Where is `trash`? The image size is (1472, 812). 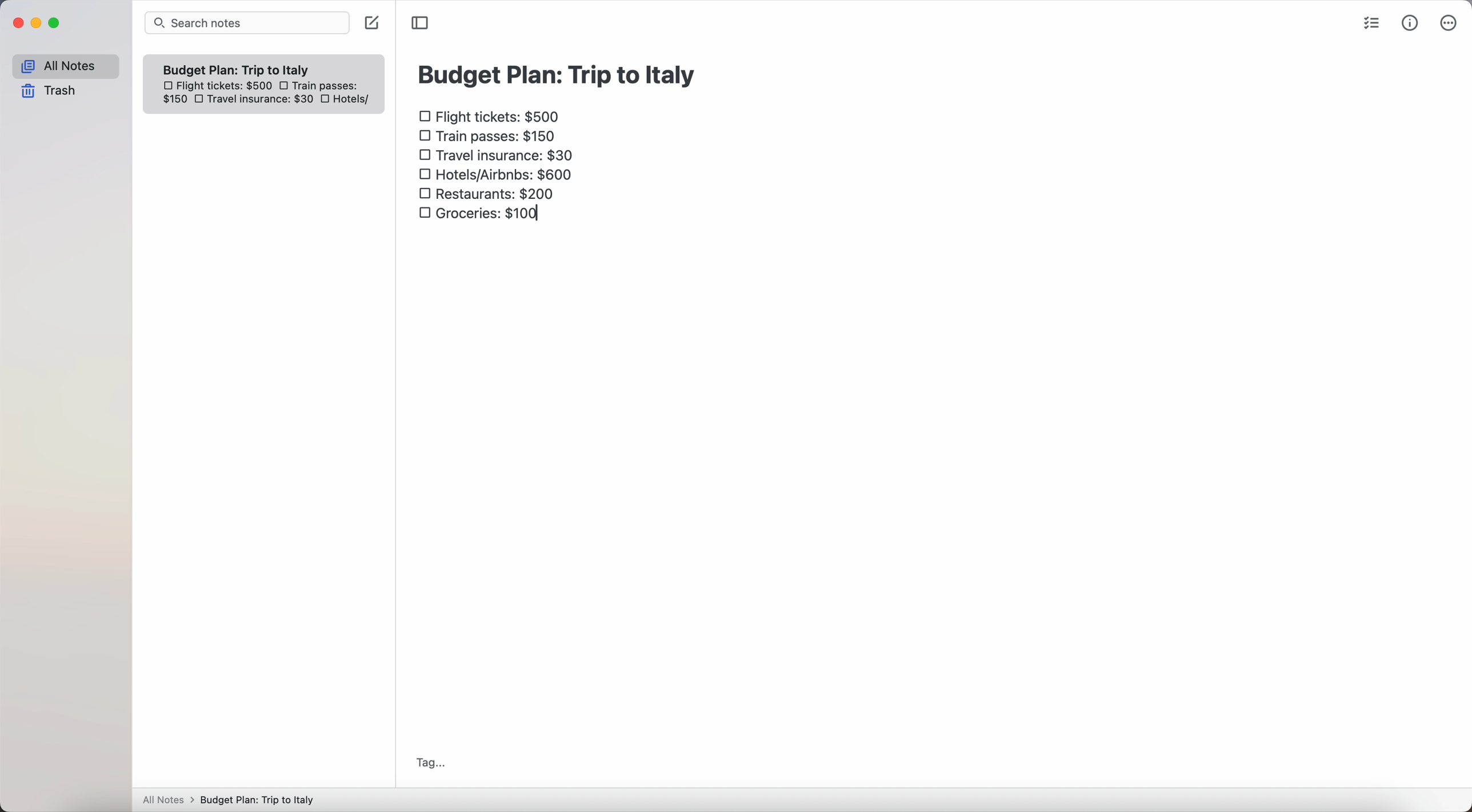 trash is located at coordinates (49, 91).